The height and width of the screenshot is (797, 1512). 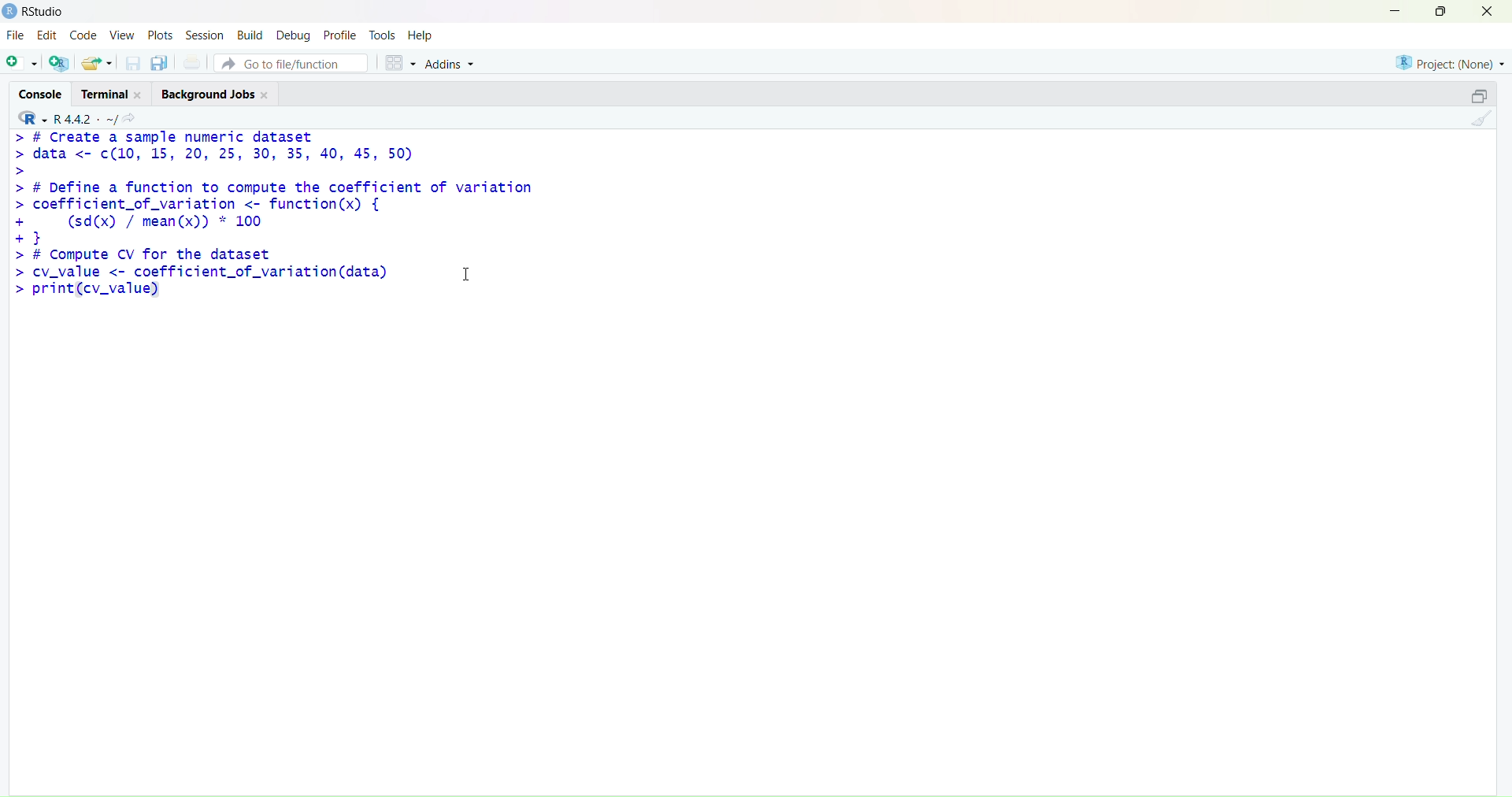 What do you see at coordinates (98, 63) in the screenshot?
I see `share folder as` at bounding box center [98, 63].